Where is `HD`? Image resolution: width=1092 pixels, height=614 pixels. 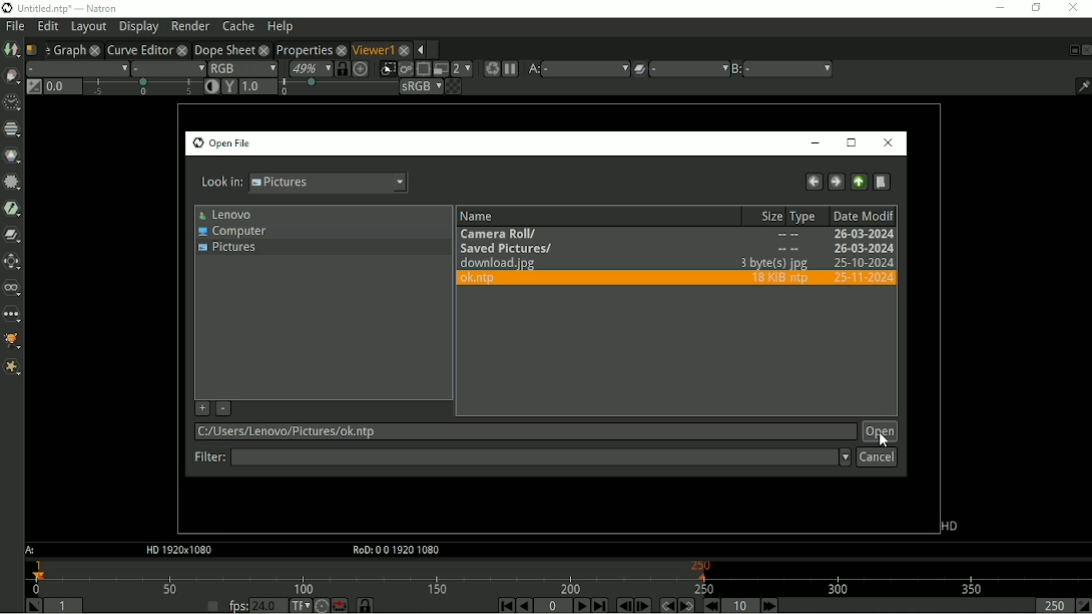 HD is located at coordinates (177, 550).